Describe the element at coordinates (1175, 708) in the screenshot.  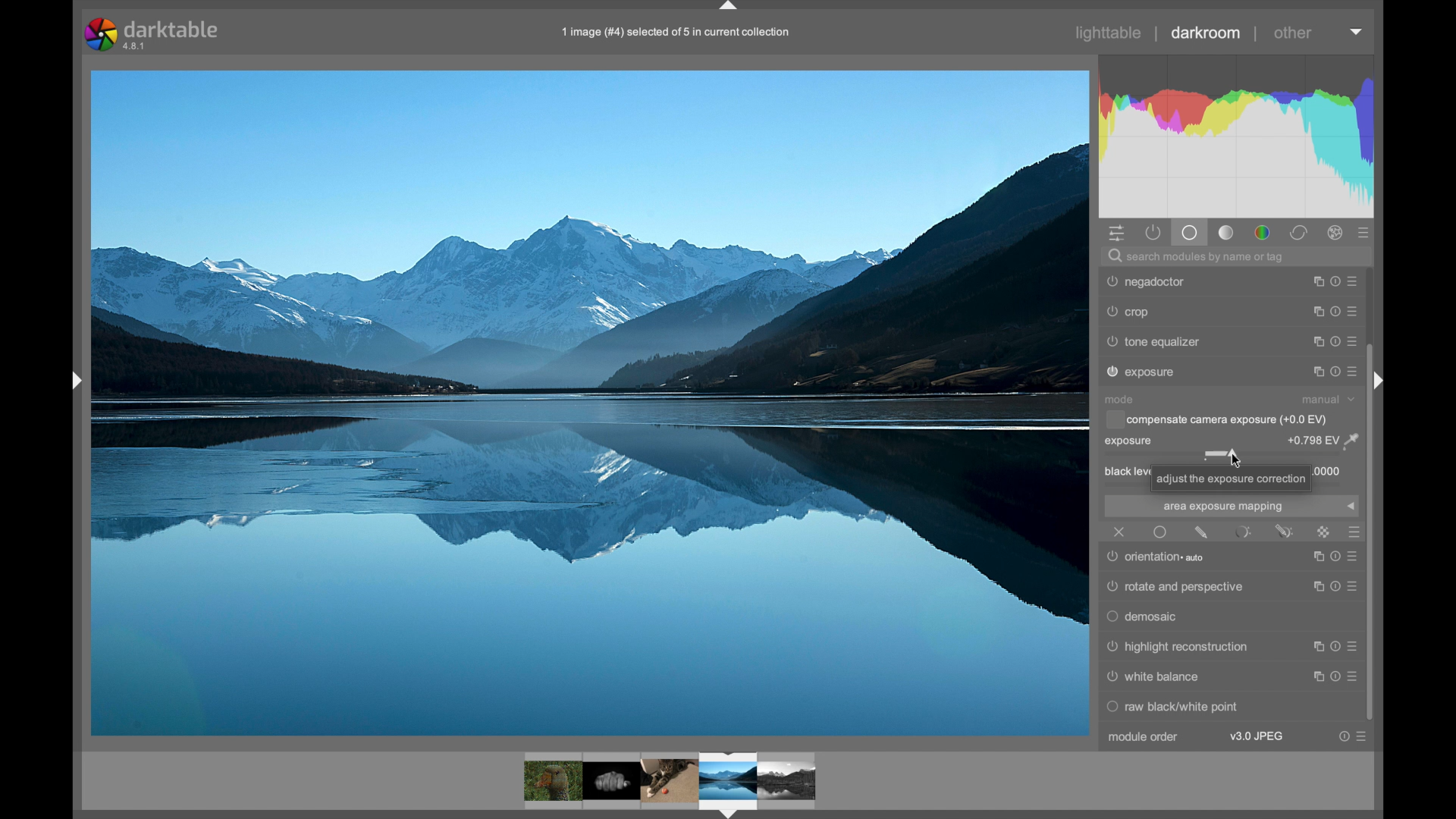
I see `raw black/white point` at that location.